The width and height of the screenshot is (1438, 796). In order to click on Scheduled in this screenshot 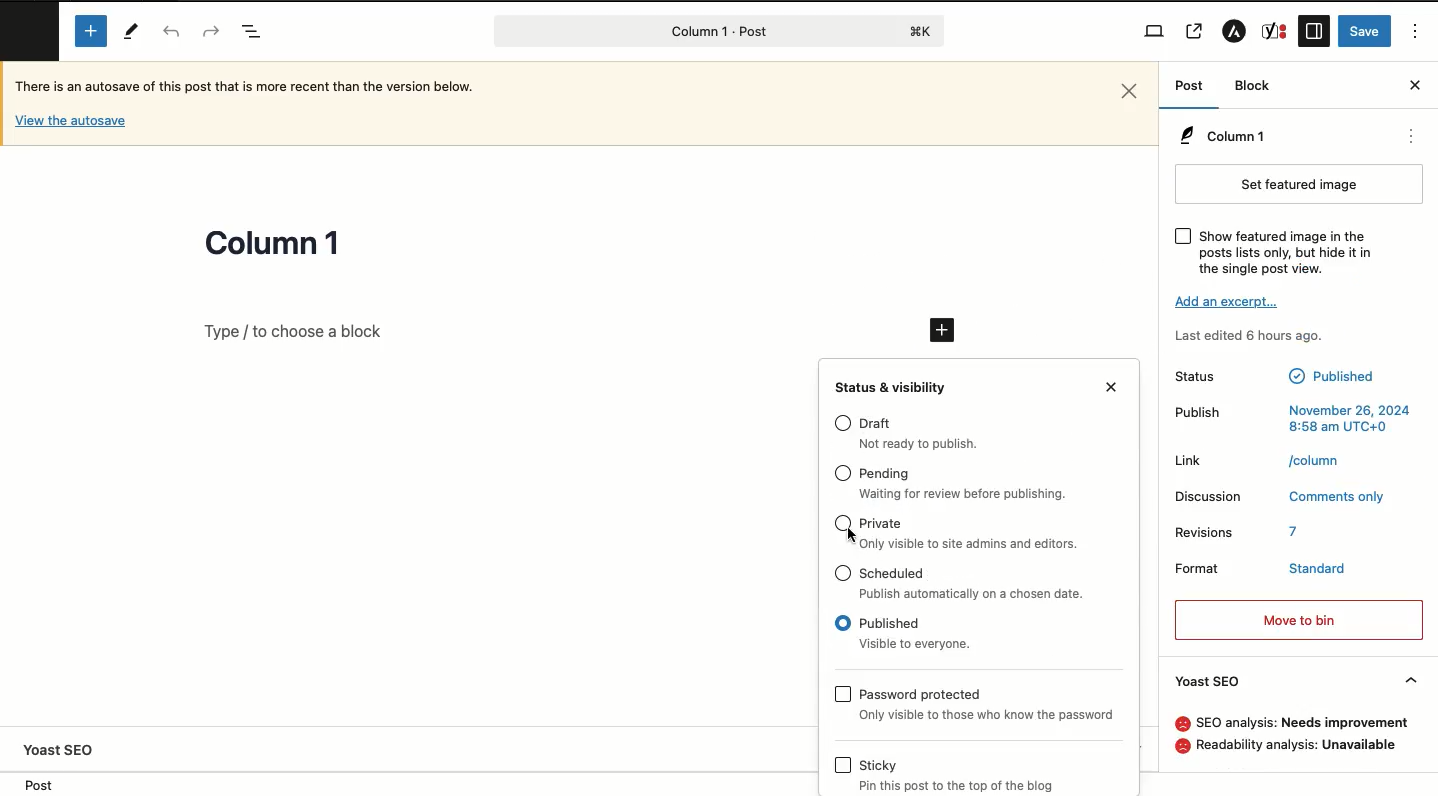, I will do `click(894, 572)`.